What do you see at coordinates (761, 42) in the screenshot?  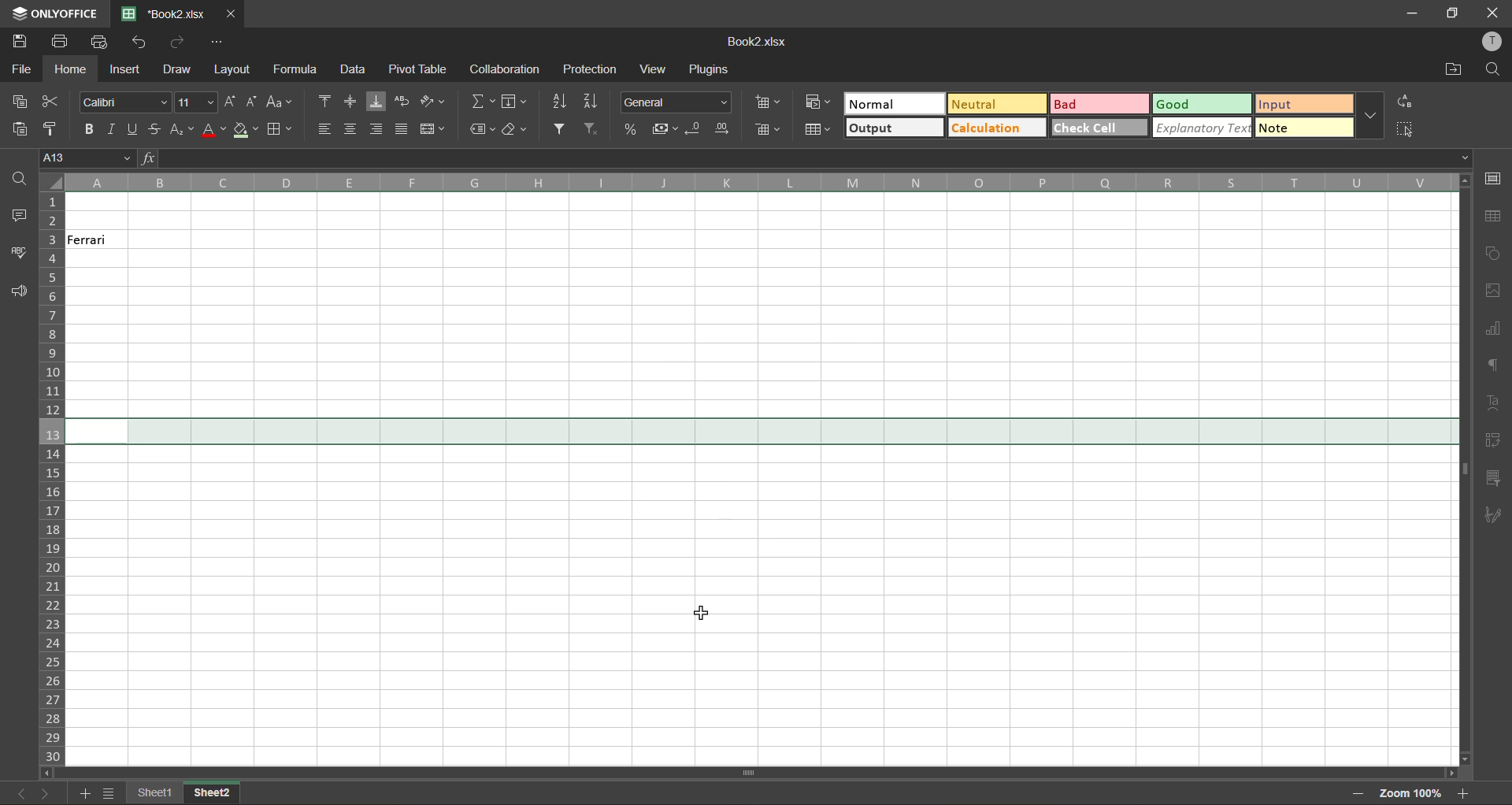 I see `filename` at bounding box center [761, 42].